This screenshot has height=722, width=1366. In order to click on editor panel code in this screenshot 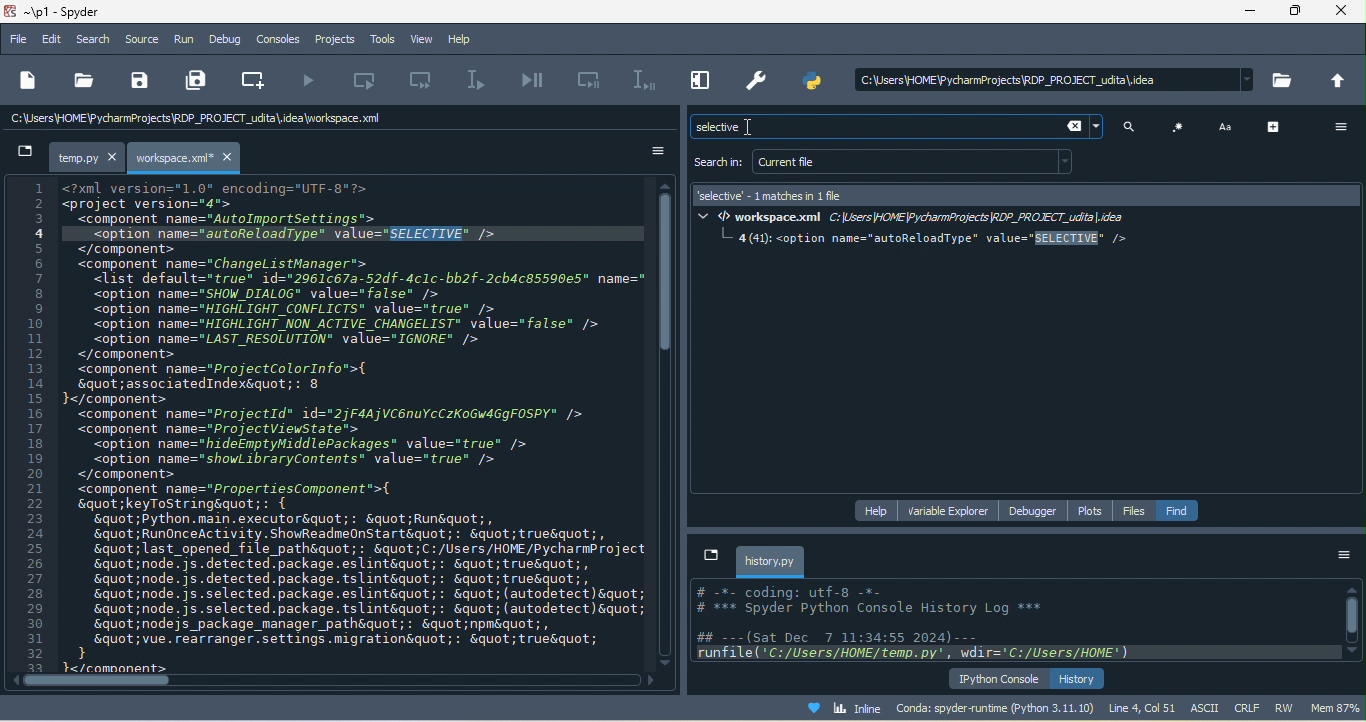, I will do `click(330, 425)`.